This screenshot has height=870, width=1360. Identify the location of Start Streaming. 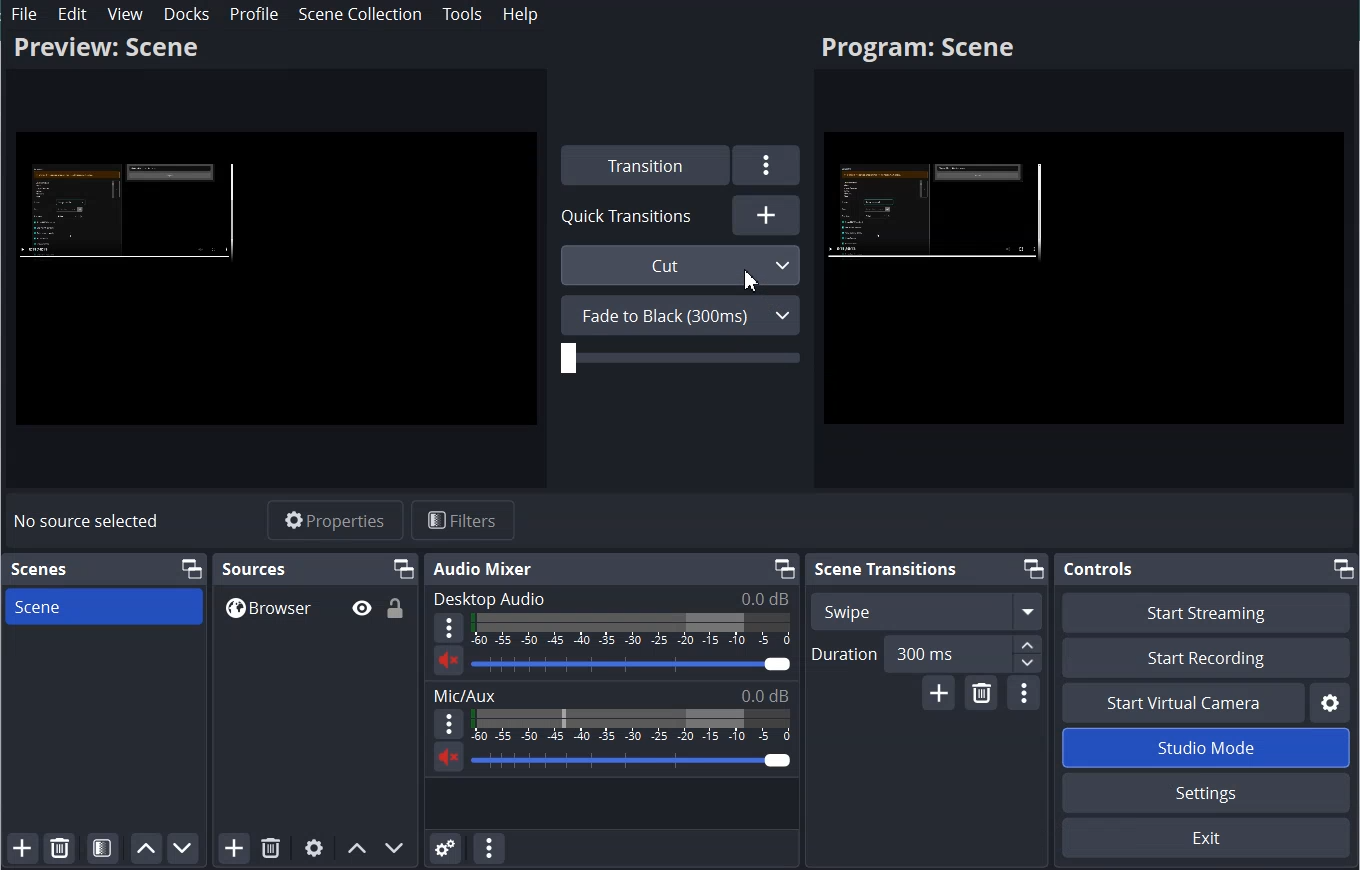
(1205, 611).